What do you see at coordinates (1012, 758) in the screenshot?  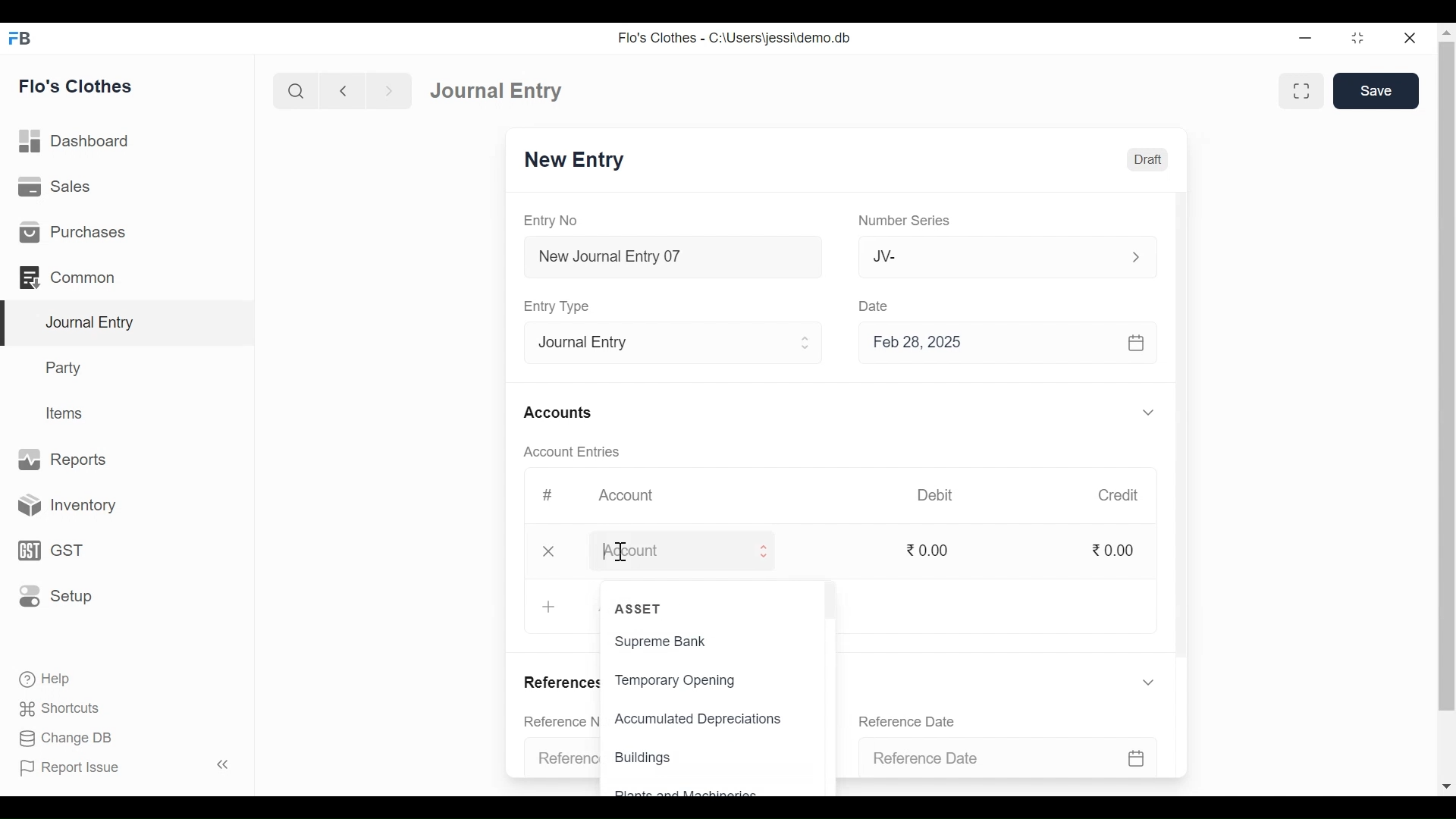 I see `Reference Date` at bounding box center [1012, 758].